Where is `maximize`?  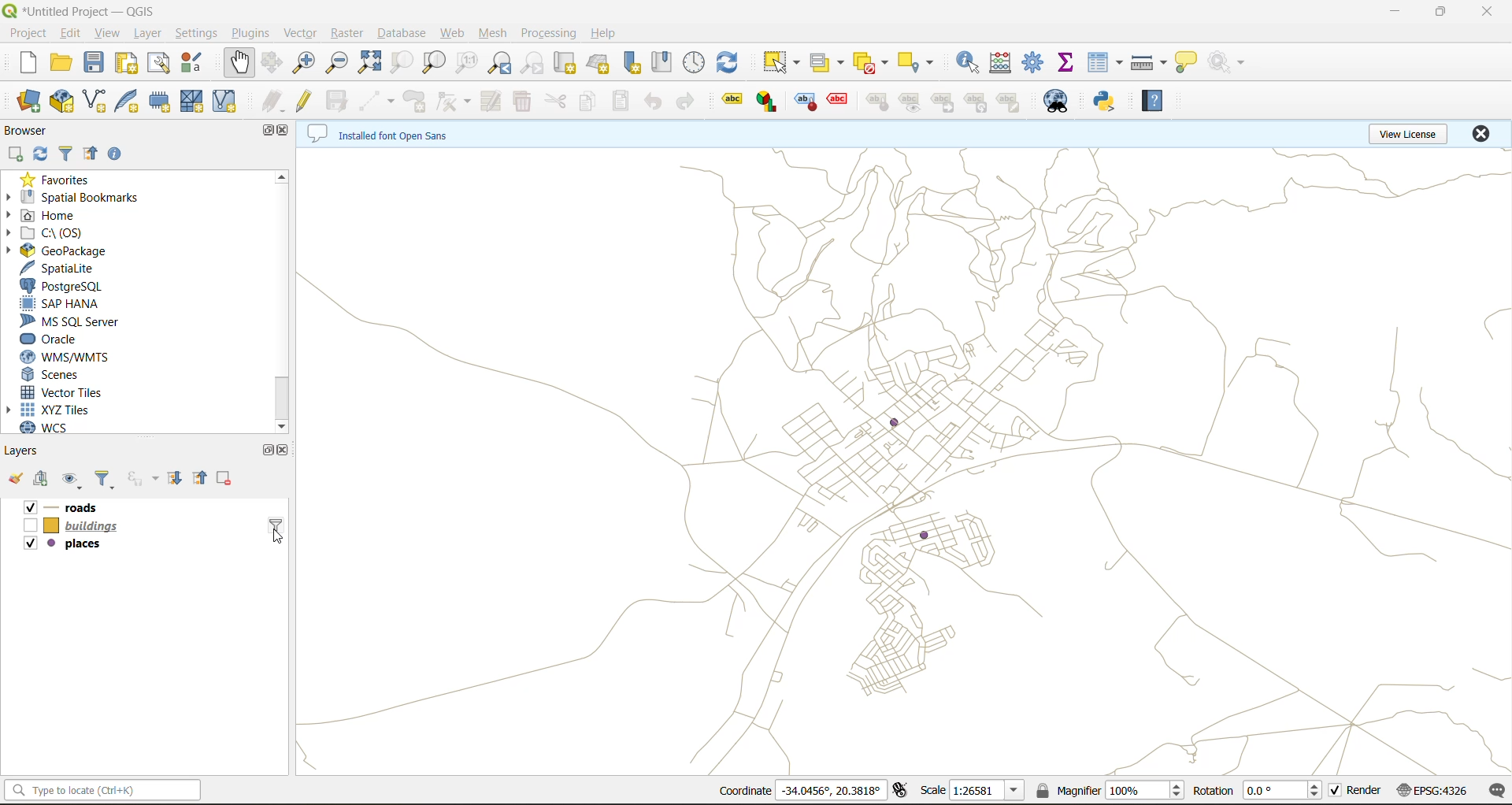
maximize is located at coordinates (265, 130).